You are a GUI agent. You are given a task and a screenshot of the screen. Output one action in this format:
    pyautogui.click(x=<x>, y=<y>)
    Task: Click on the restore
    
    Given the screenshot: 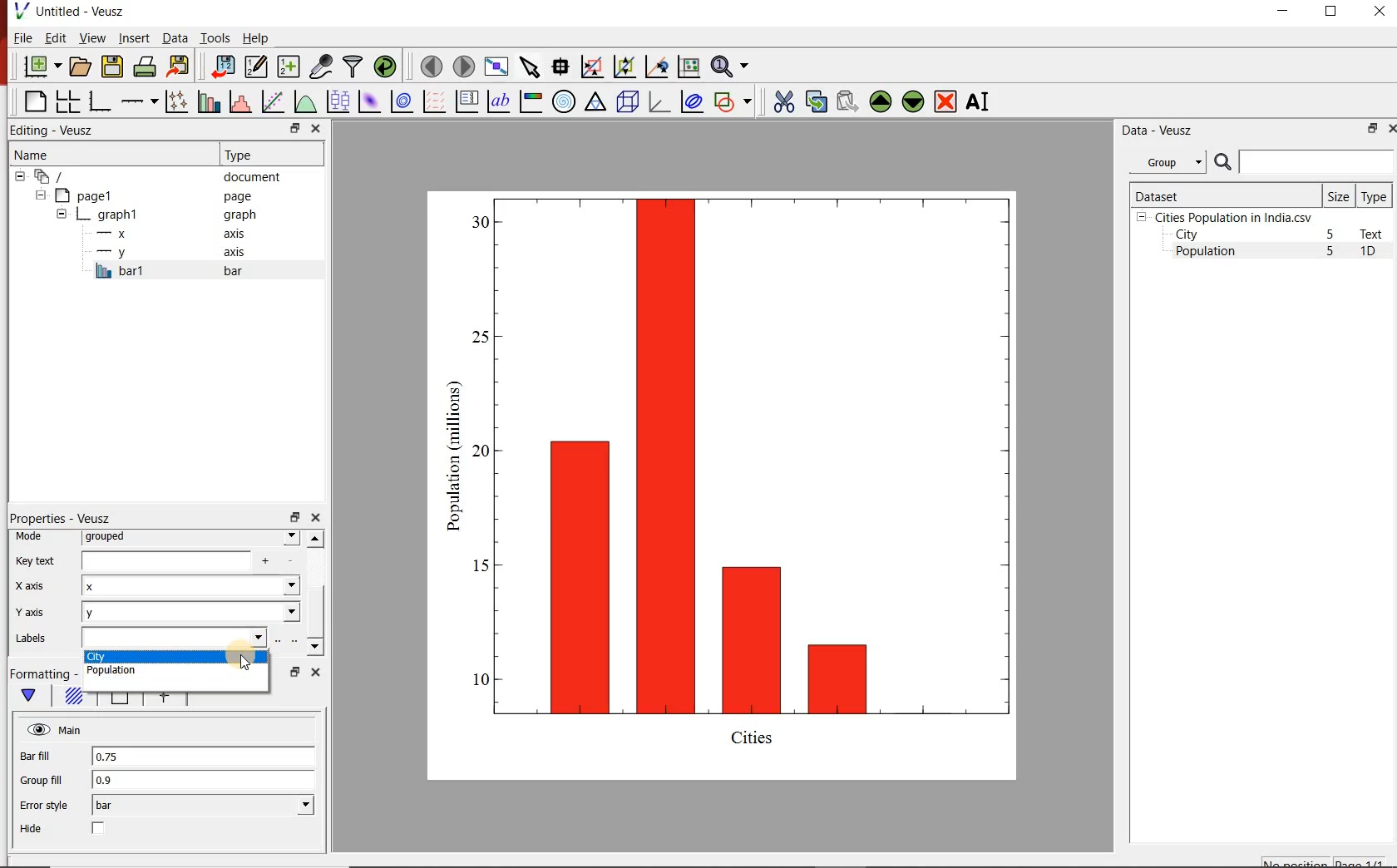 What is the action you would take?
    pyautogui.click(x=294, y=128)
    